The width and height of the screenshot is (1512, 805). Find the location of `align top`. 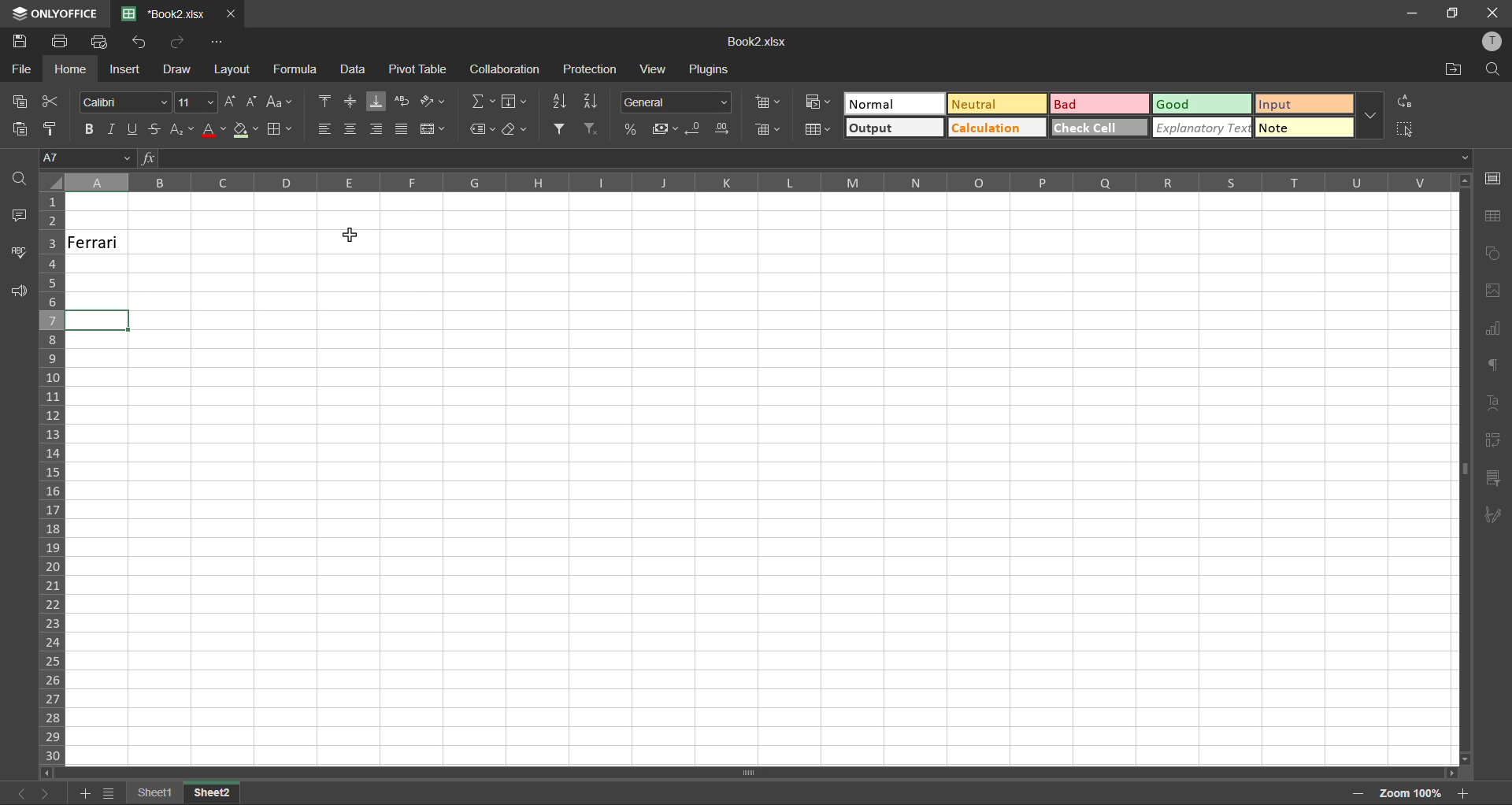

align top is located at coordinates (323, 101).